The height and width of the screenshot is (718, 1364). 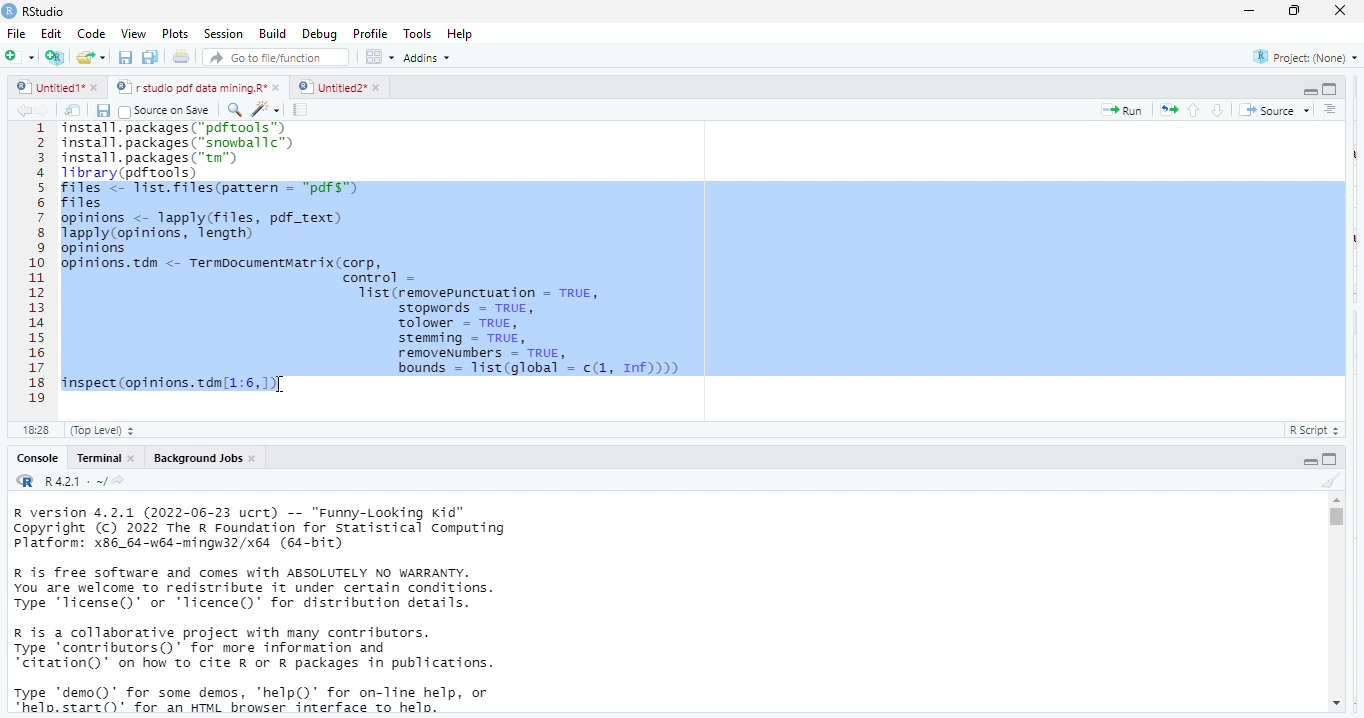 I want to click on scroll up, so click(x=1336, y=500).